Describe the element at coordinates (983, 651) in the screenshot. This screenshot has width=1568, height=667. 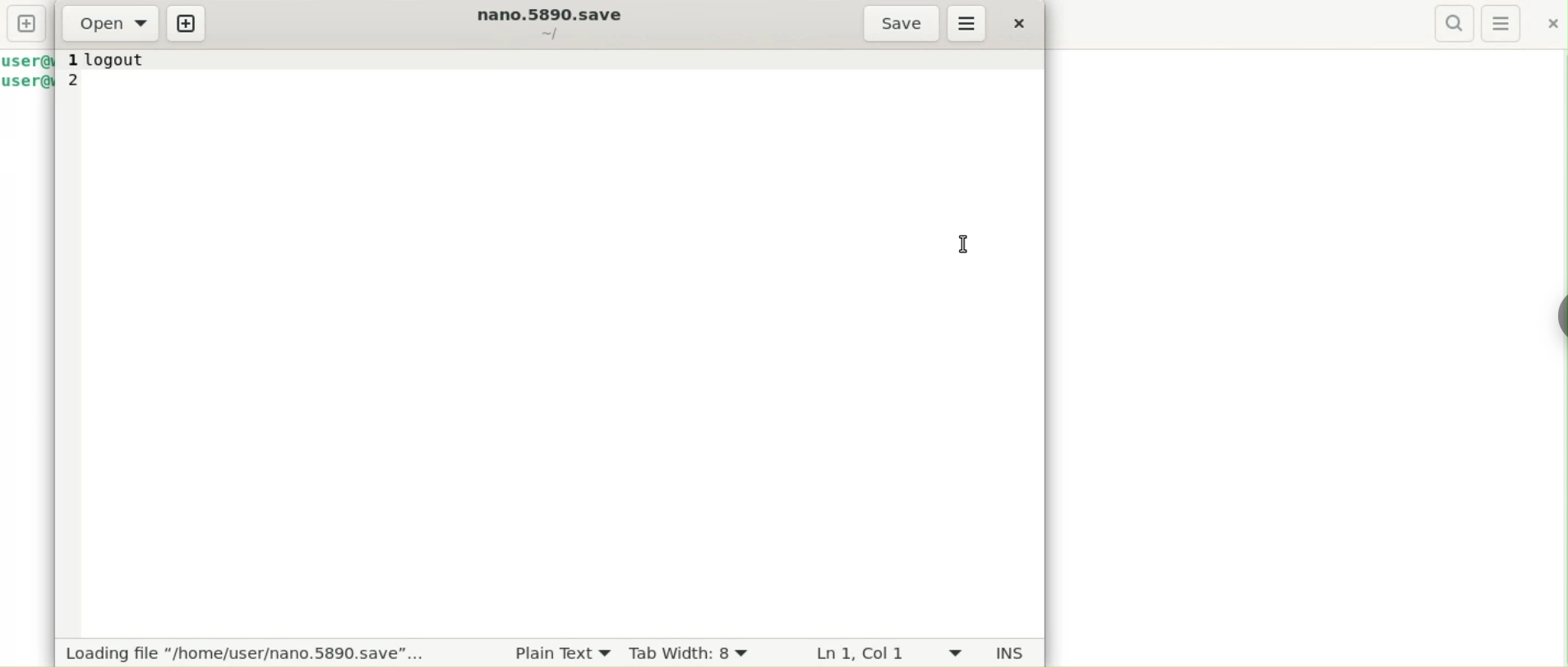
I see `INS` at that location.